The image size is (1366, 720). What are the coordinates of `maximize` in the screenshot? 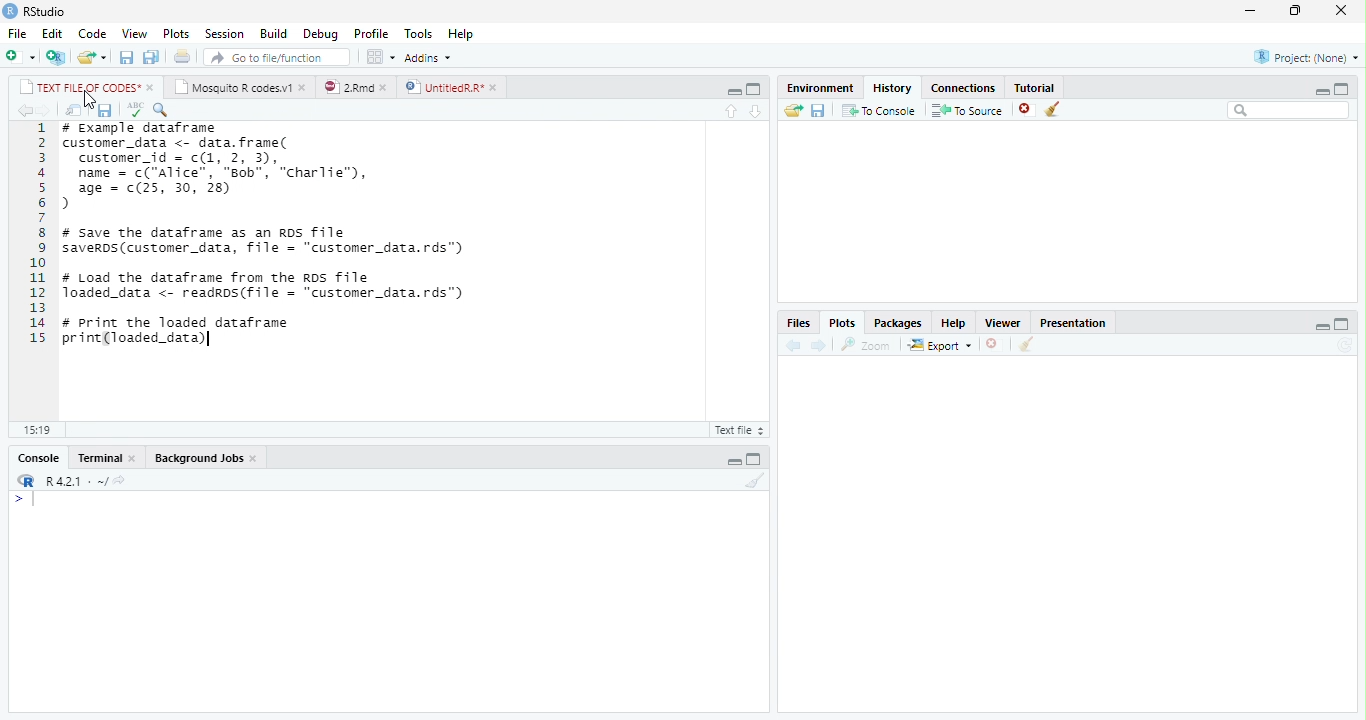 It's located at (754, 459).